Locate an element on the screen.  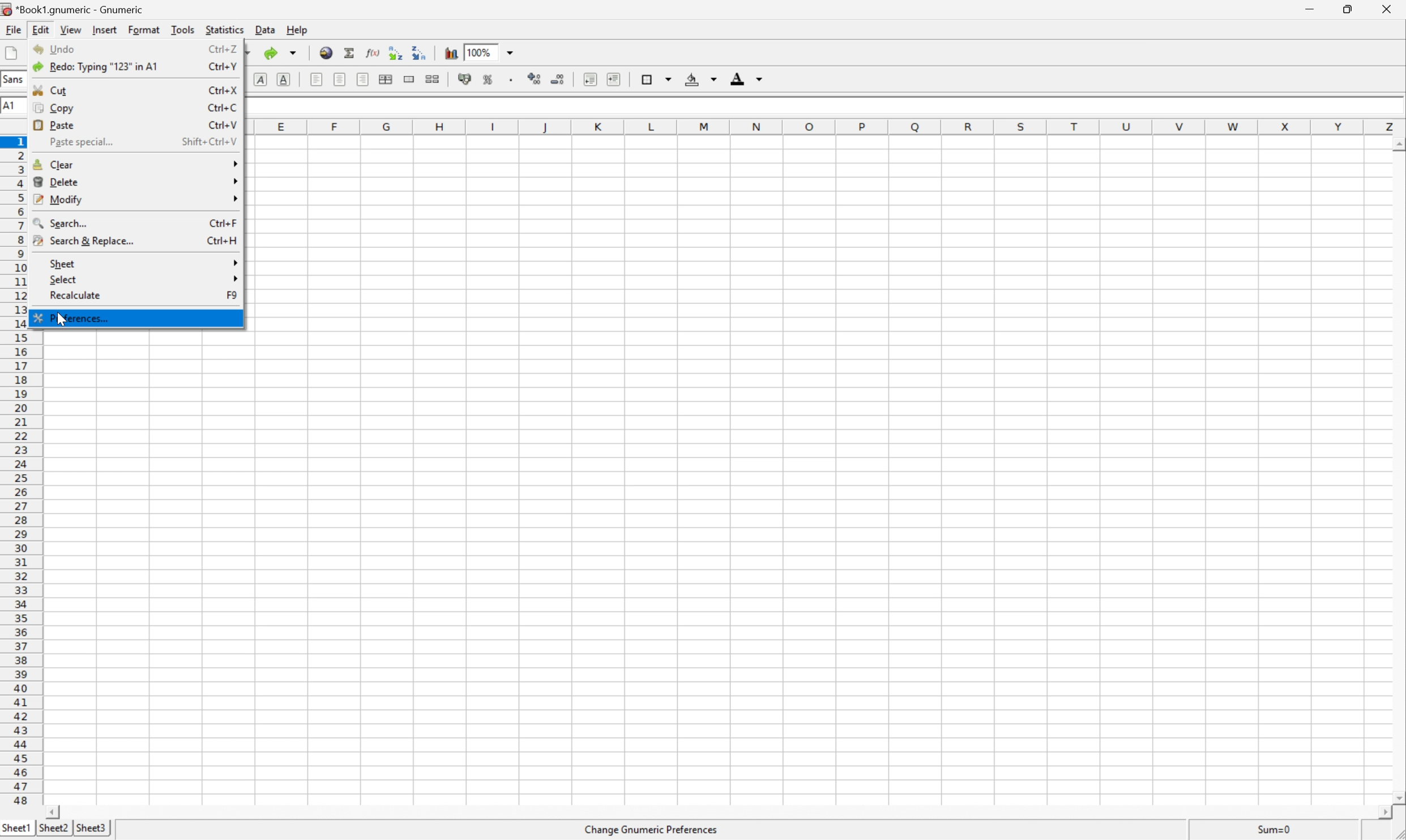
minimize is located at coordinates (1311, 10).